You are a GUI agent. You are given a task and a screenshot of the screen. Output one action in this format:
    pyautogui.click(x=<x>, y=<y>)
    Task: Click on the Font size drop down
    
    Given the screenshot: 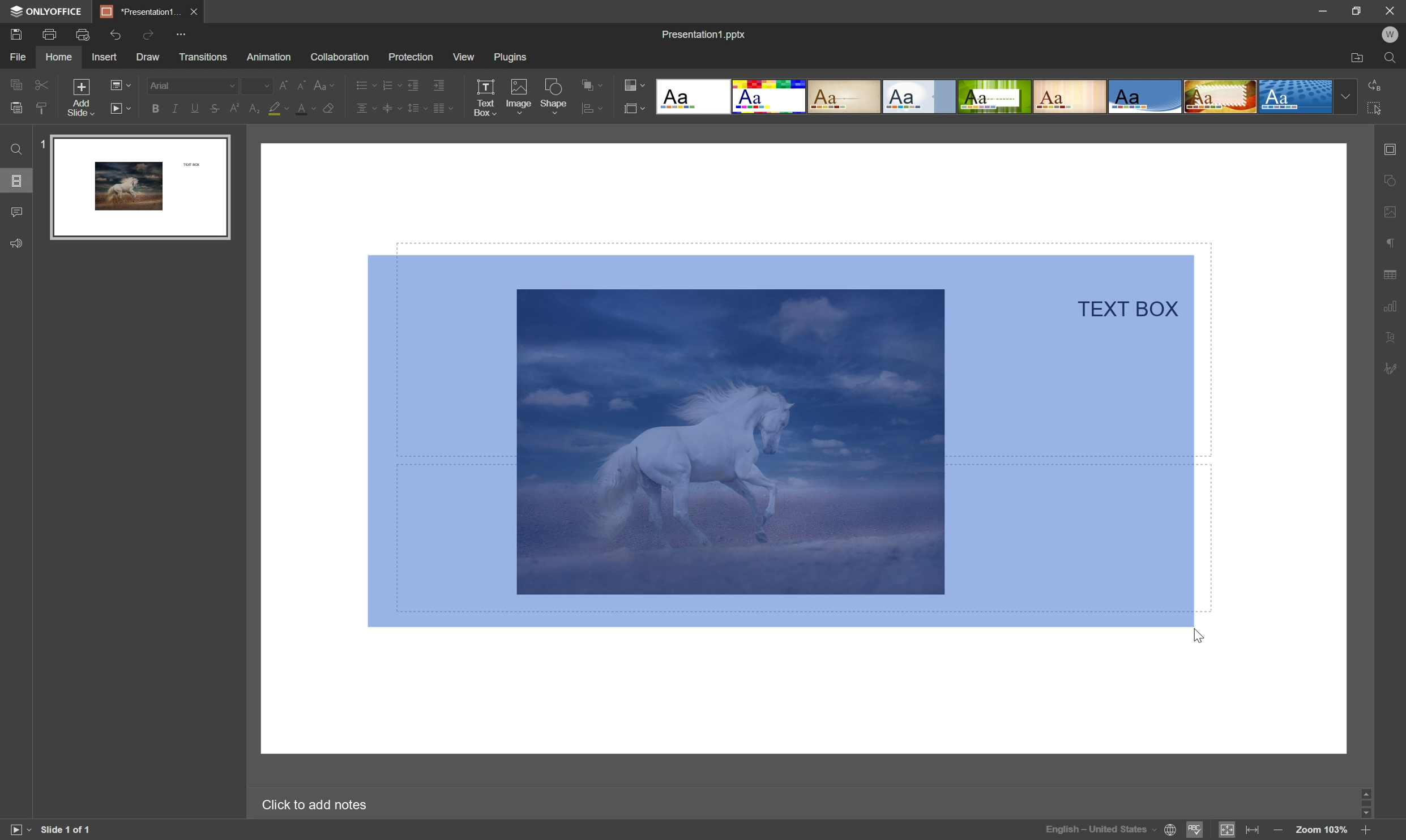 What is the action you would take?
    pyautogui.click(x=256, y=84)
    